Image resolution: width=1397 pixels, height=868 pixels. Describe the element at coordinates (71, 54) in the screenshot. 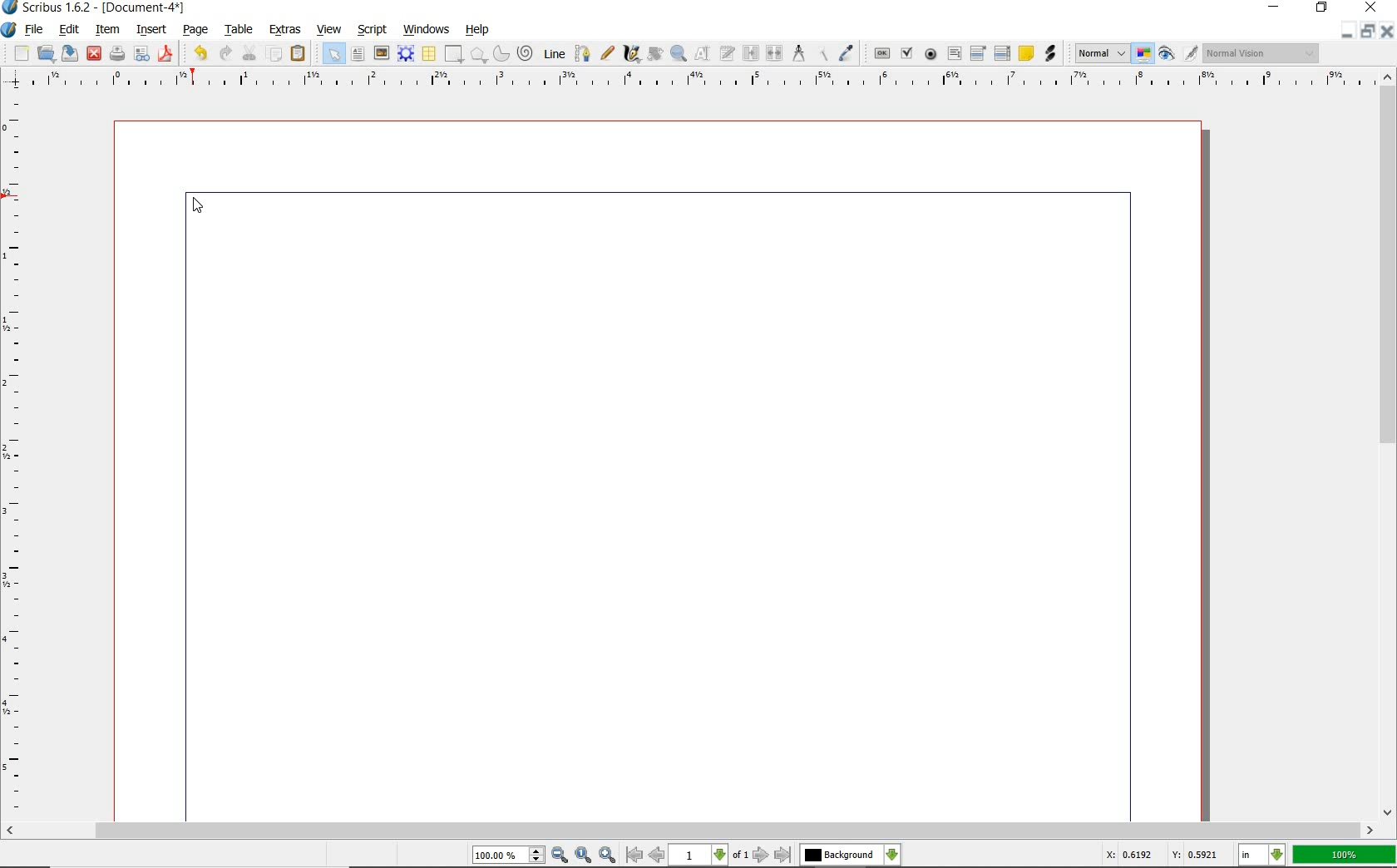

I see `save` at that location.